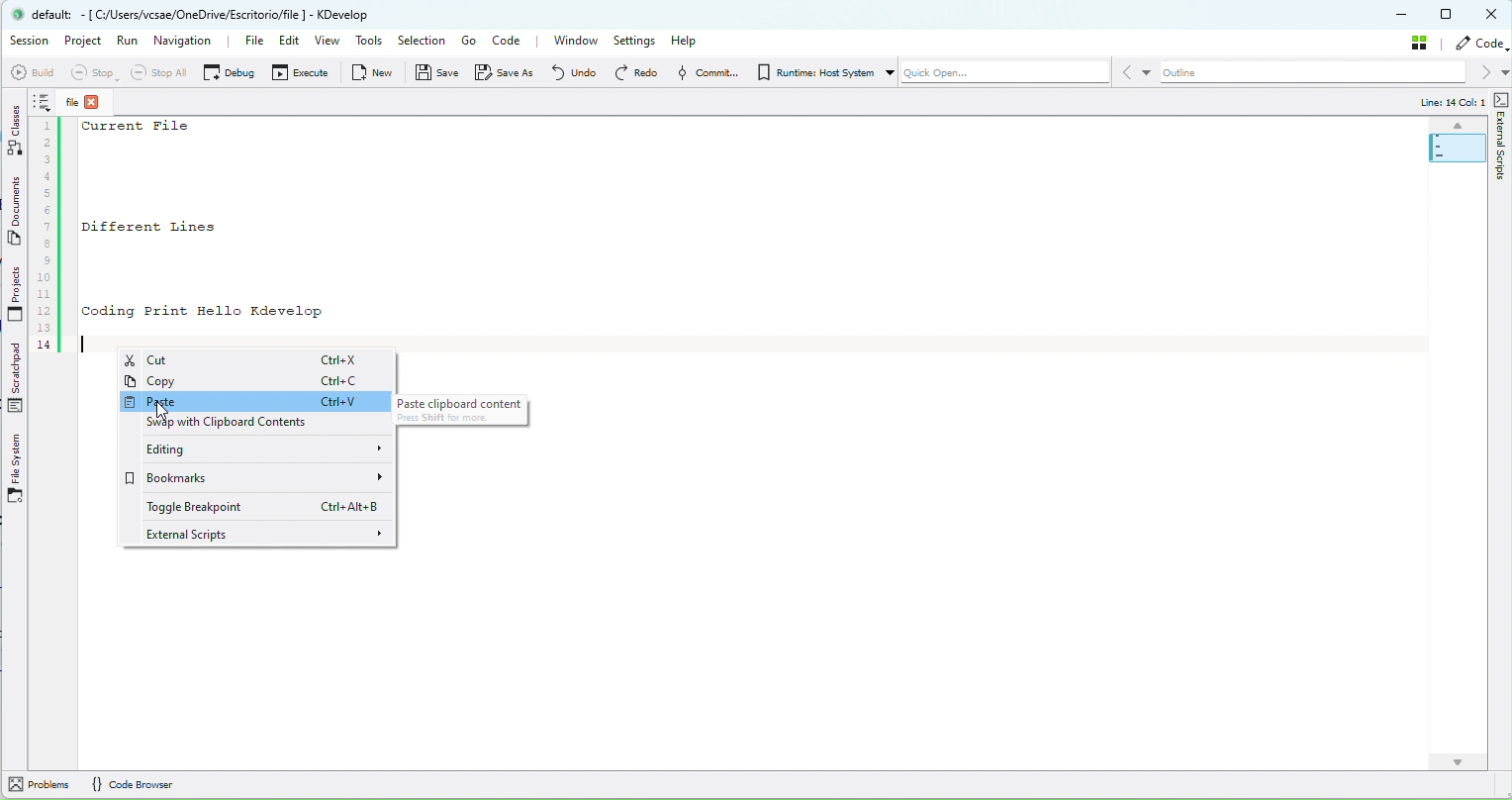 The width and height of the screenshot is (1512, 800). Describe the element at coordinates (1458, 757) in the screenshot. I see `Scroll Down Arrow` at that location.